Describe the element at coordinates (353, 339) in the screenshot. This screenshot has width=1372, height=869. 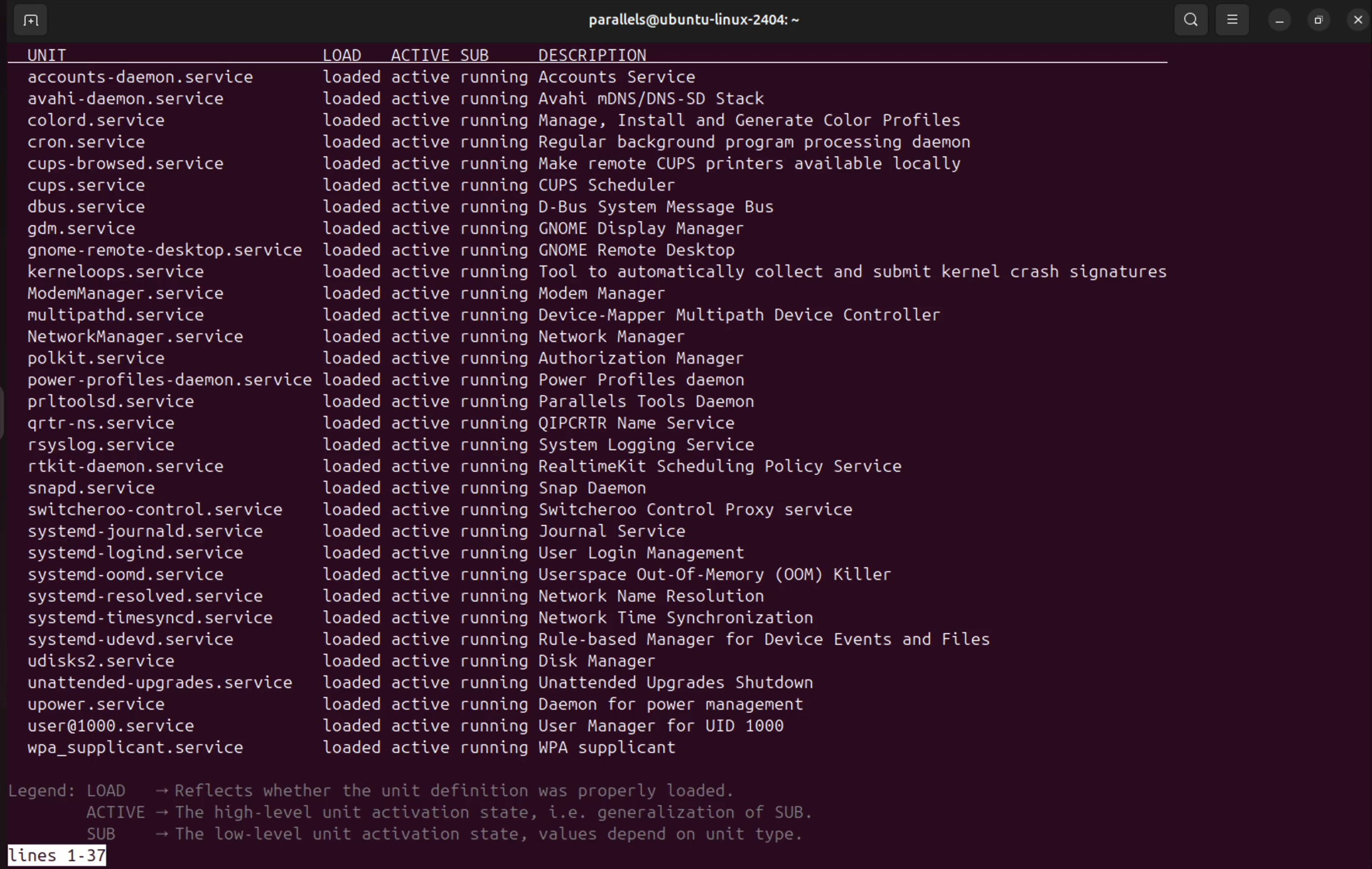
I see `loaded` at that location.